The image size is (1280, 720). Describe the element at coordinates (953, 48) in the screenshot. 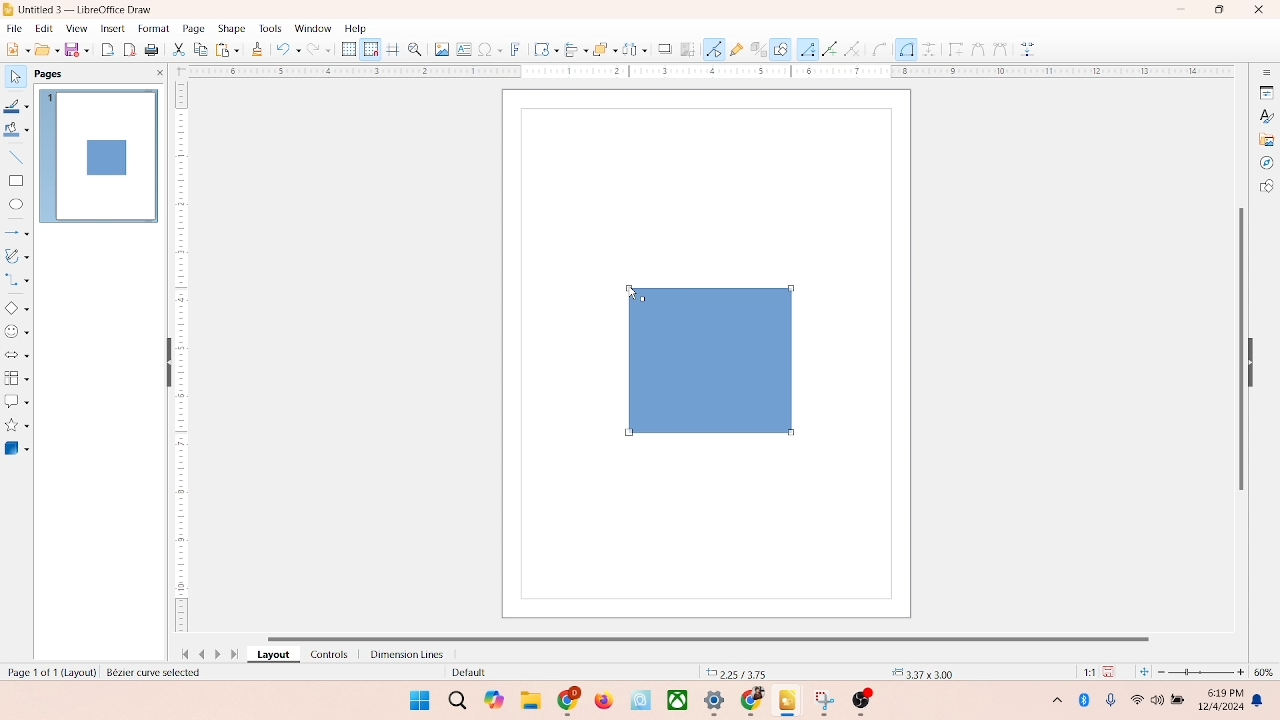

I see `Edit points tool` at that location.